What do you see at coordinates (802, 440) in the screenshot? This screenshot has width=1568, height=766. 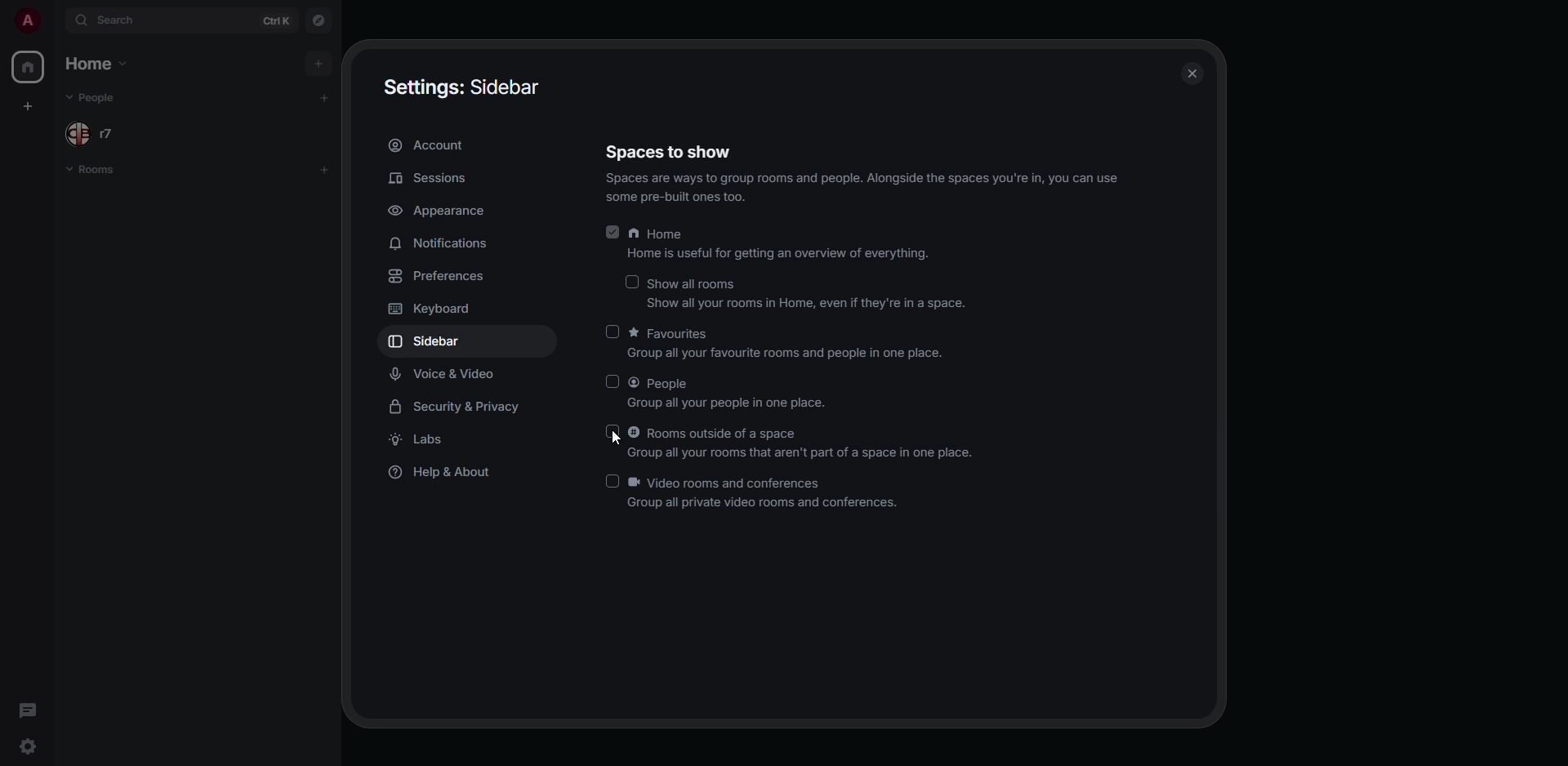 I see ` Rooms outside of a space Group all your rooms that aren't part of a space in one place.` at bounding box center [802, 440].